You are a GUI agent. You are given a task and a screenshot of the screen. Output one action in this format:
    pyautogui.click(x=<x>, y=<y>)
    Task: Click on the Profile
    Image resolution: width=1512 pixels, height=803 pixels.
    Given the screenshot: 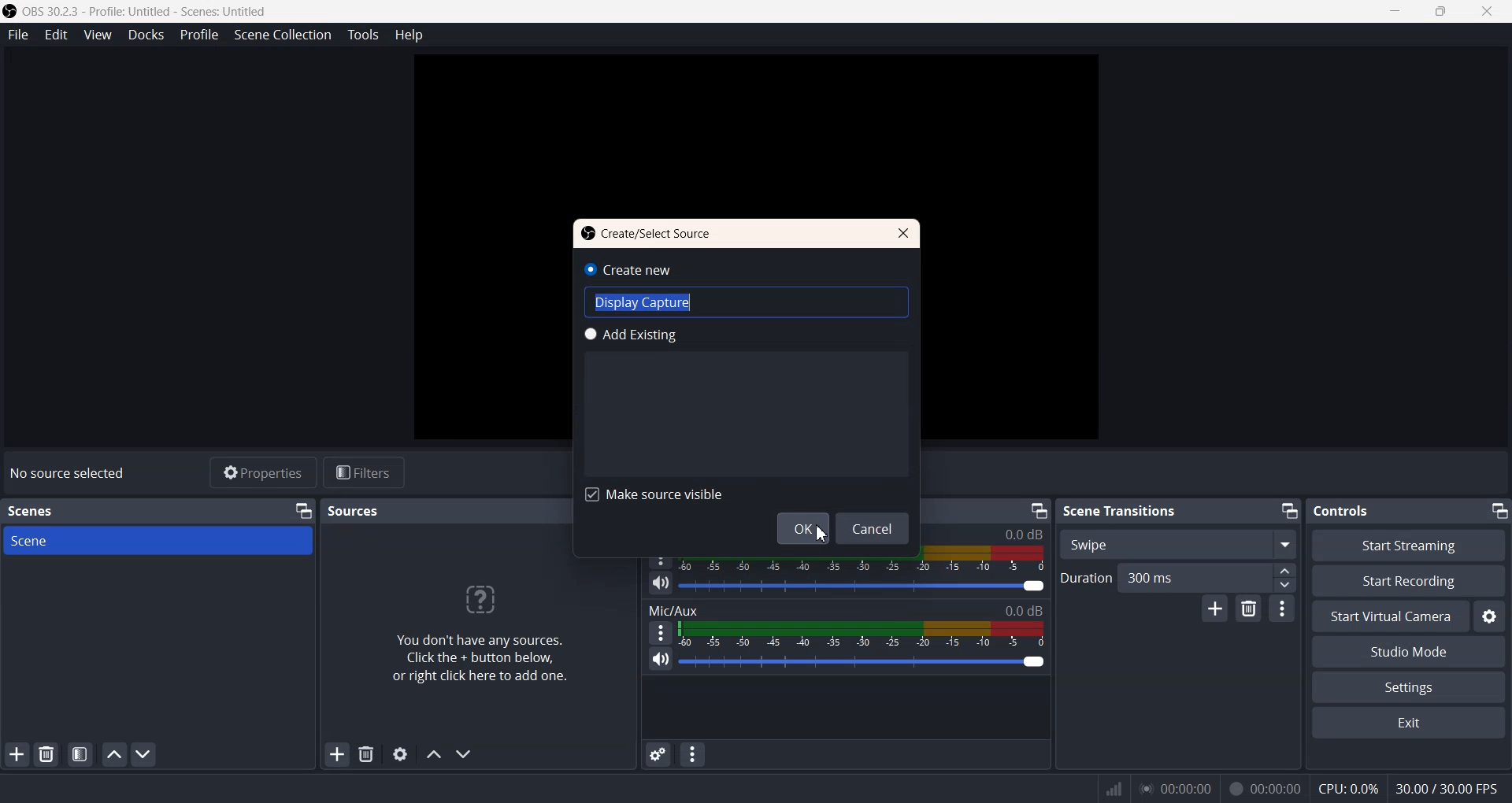 What is the action you would take?
    pyautogui.click(x=199, y=35)
    